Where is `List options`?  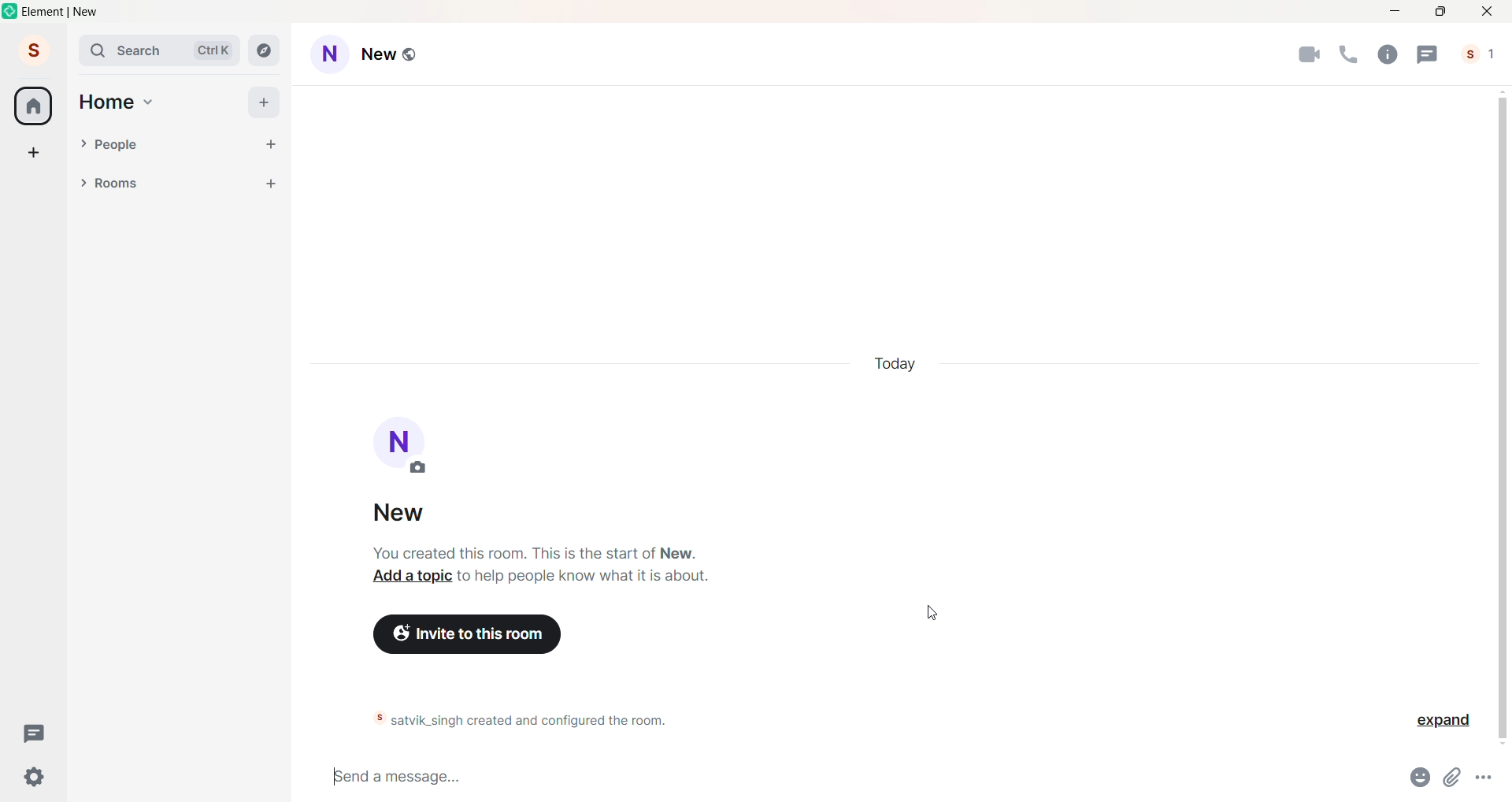
List options is located at coordinates (239, 184).